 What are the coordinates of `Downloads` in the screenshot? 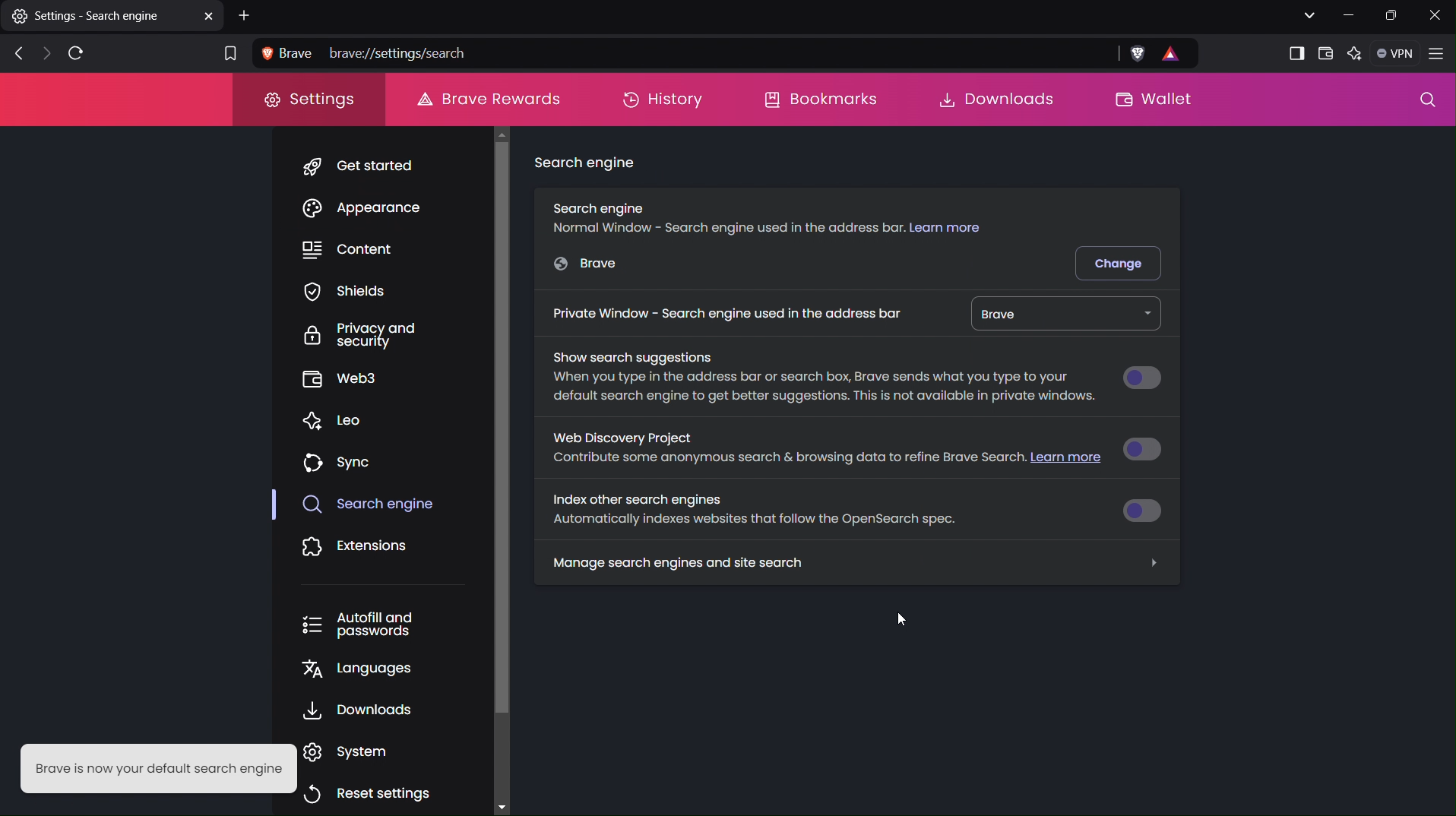 It's located at (989, 99).